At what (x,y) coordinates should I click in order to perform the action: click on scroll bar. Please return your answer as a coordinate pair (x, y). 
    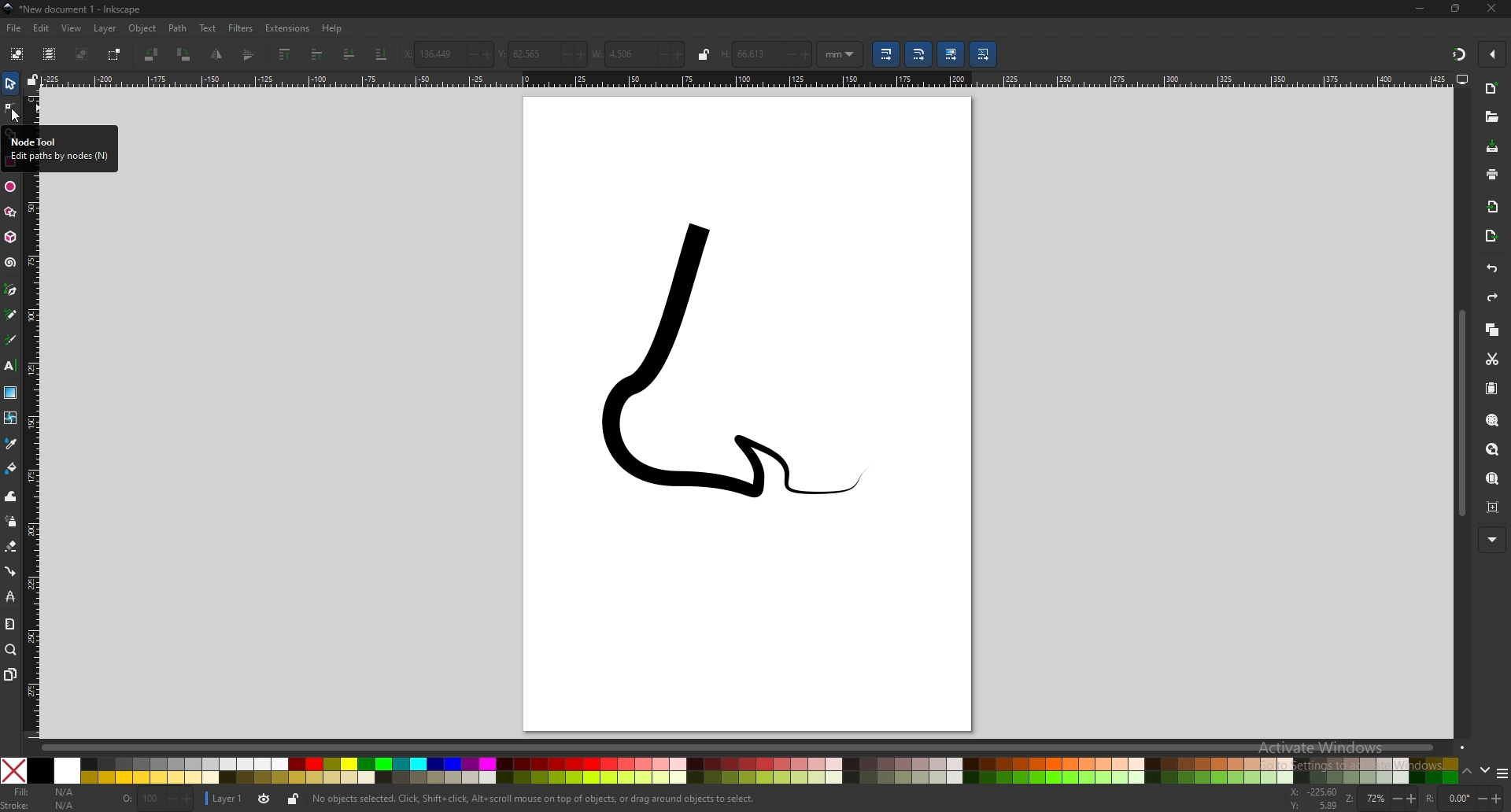
    Looking at the image, I should click on (738, 748).